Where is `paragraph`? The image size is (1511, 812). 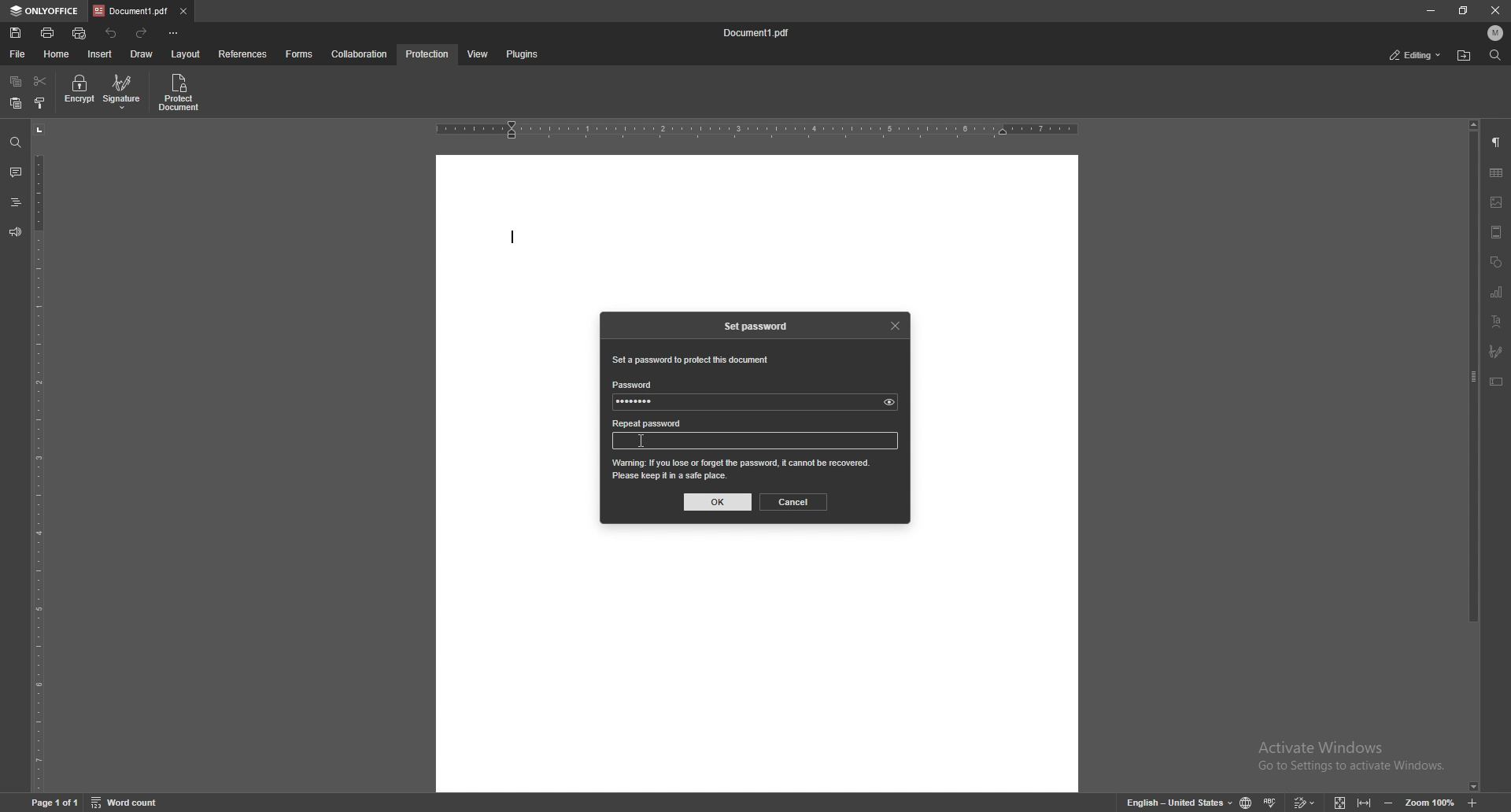 paragraph is located at coordinates (1495, 143).